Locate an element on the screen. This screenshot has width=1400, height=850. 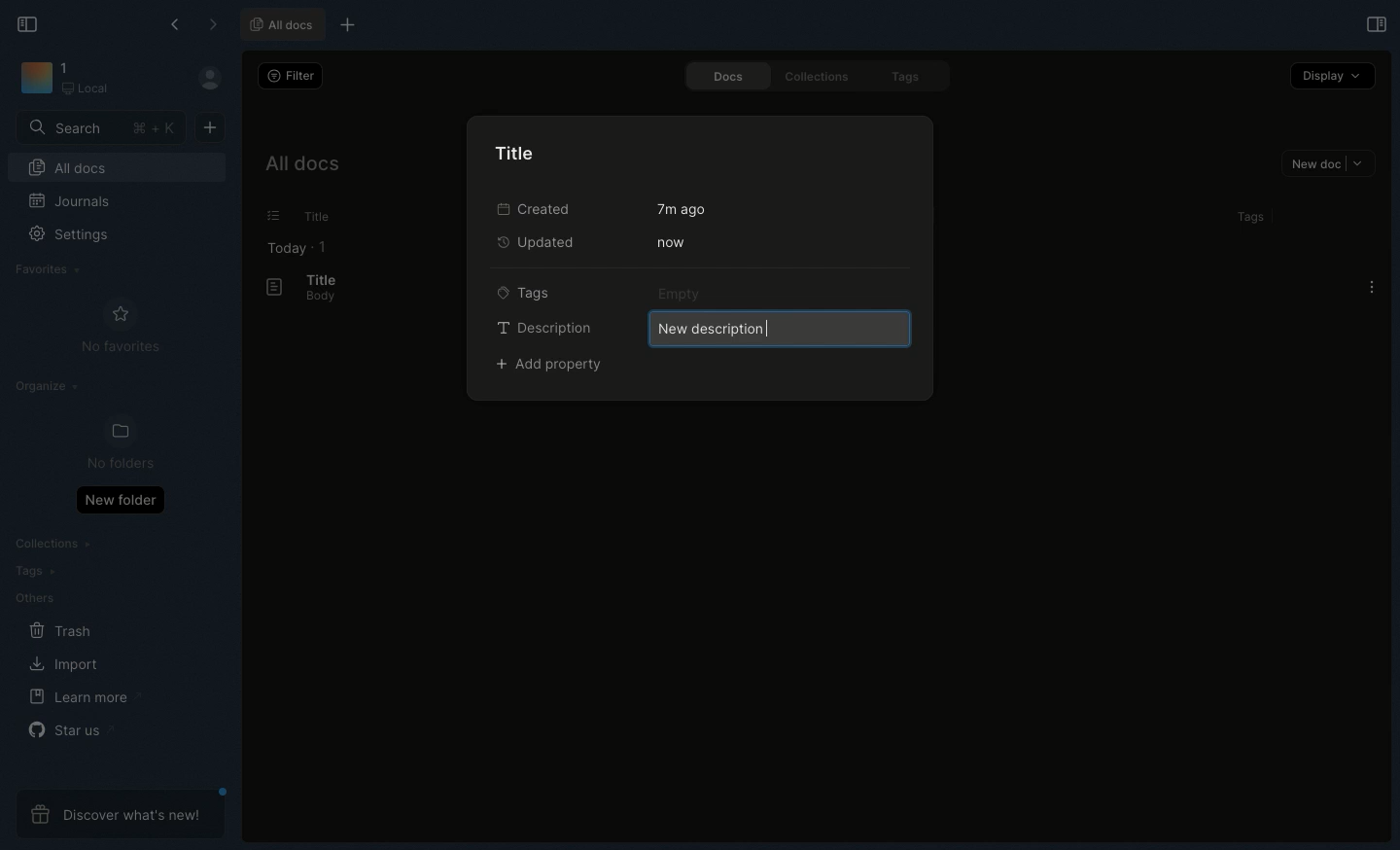
Tags is located at coordinates (524, 291).